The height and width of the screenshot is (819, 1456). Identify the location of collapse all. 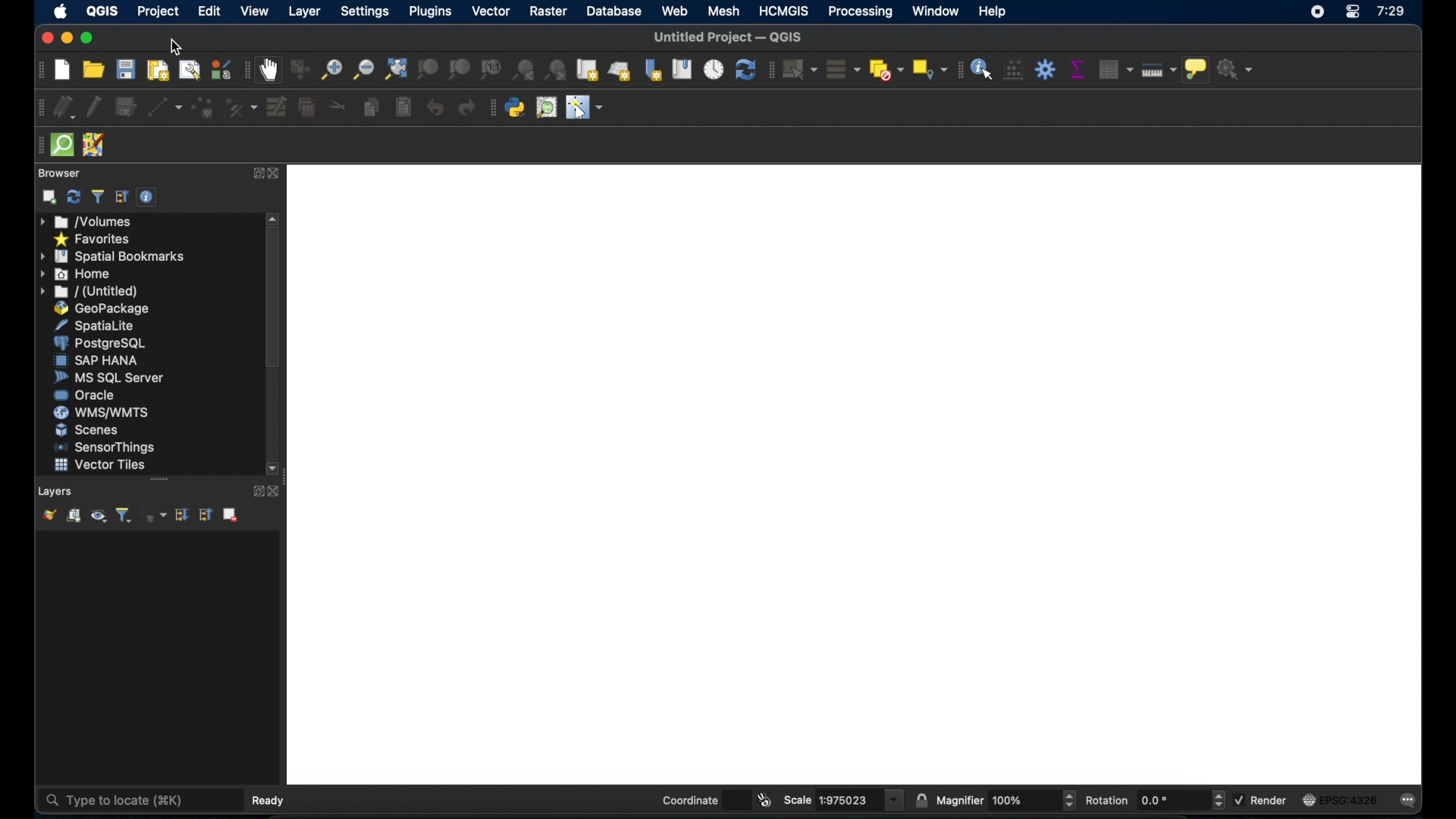
(121, 196).